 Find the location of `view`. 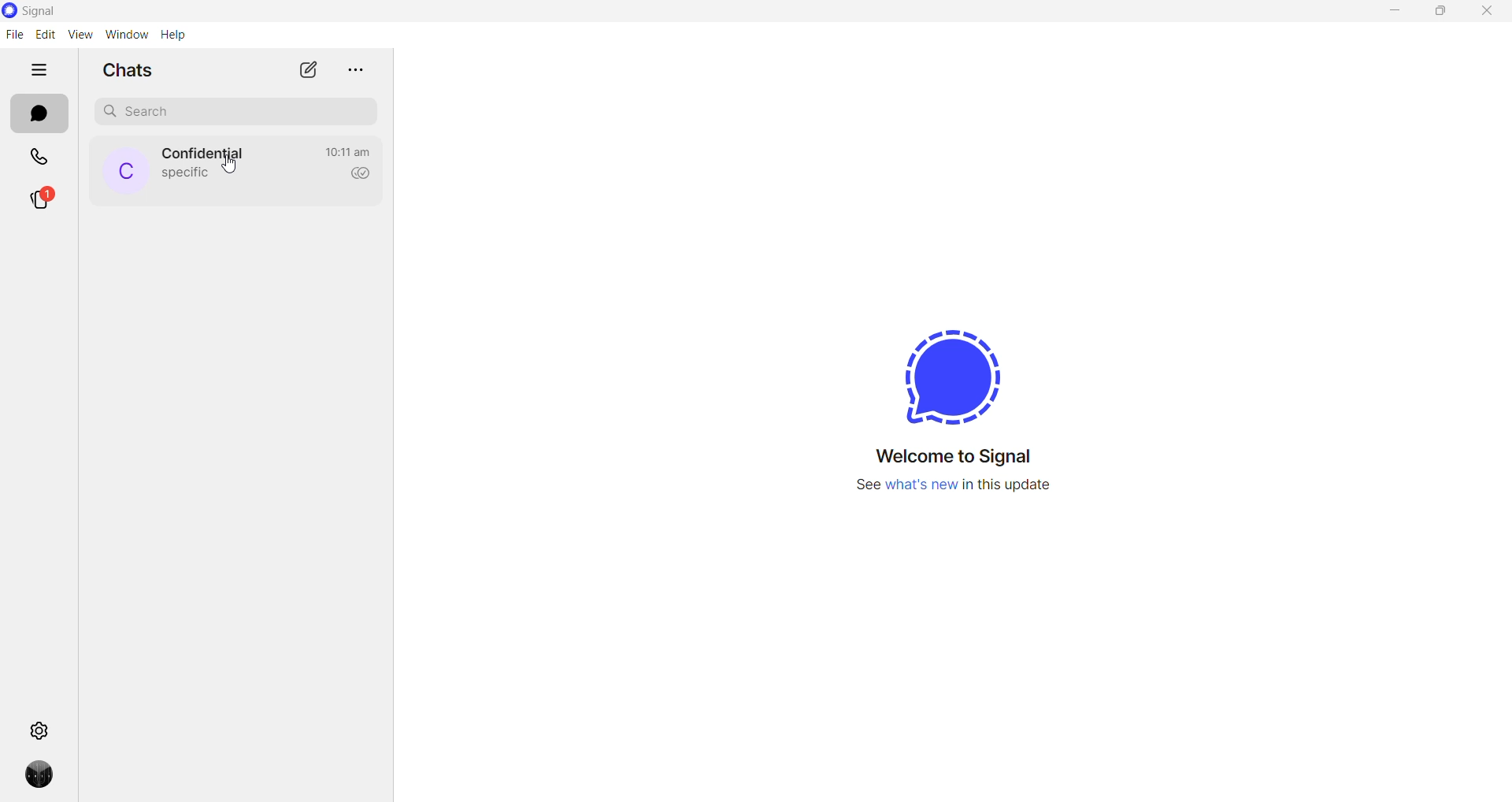

view is located at coordinates (81, 35).